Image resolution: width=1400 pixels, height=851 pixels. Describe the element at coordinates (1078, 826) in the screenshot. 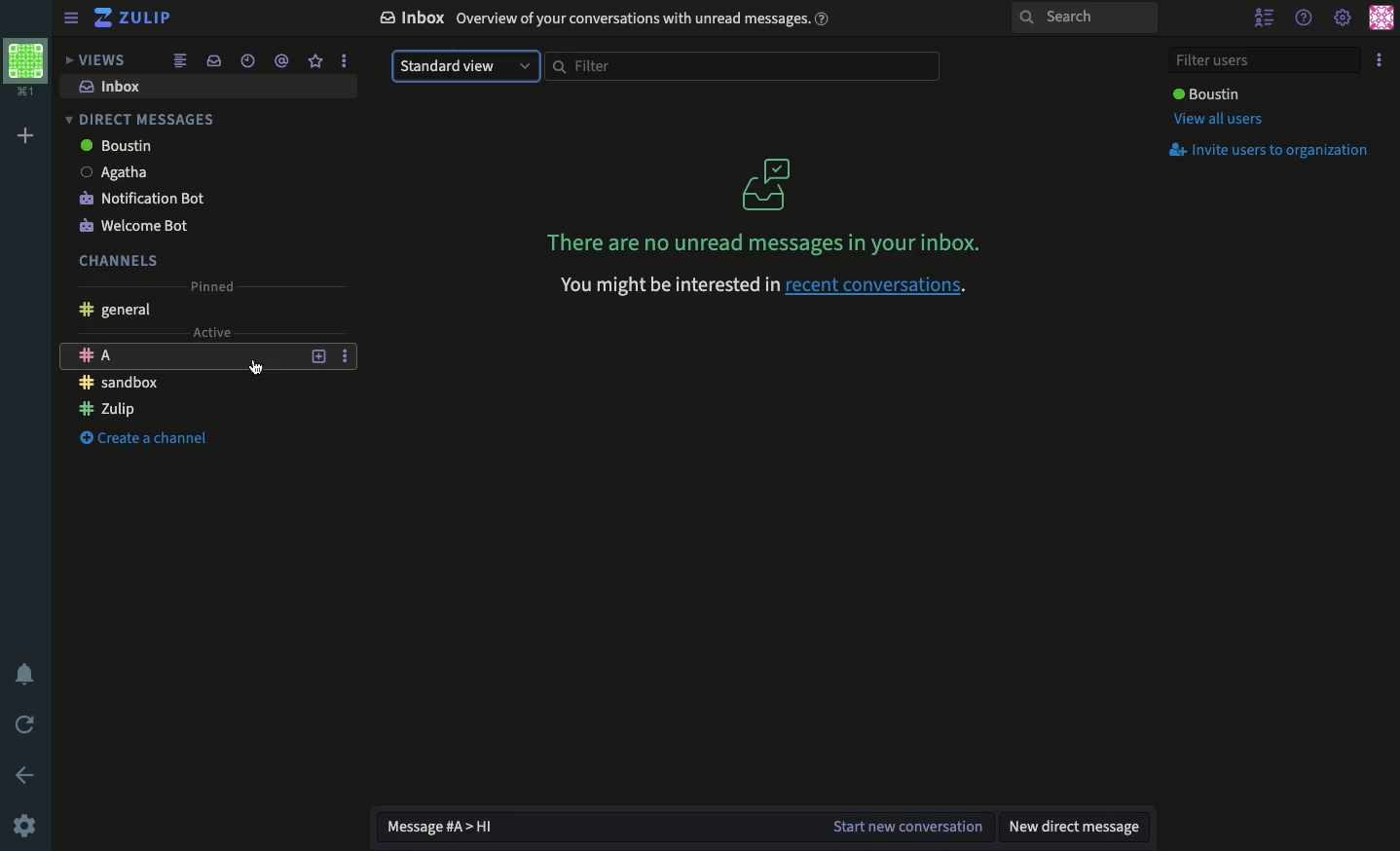

I see `New DM` at that location.